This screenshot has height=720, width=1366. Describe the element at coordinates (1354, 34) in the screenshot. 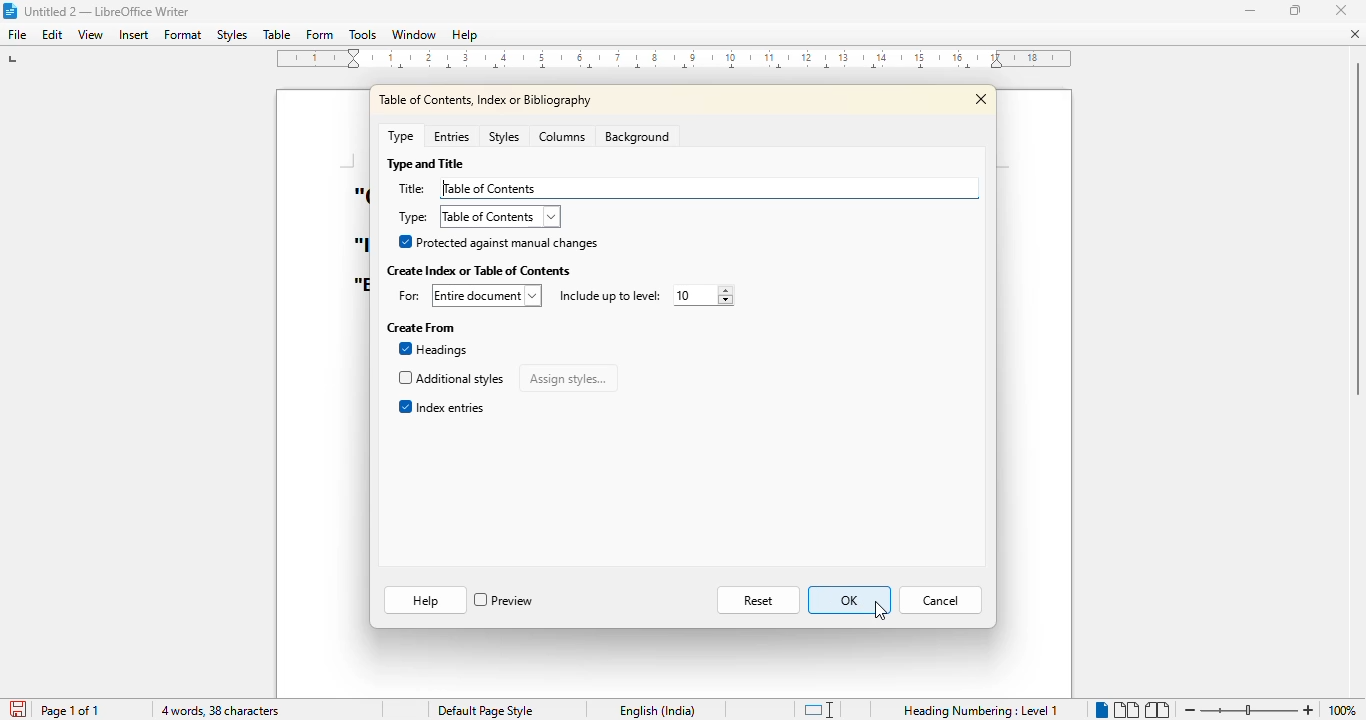

I see `close document` at that location.